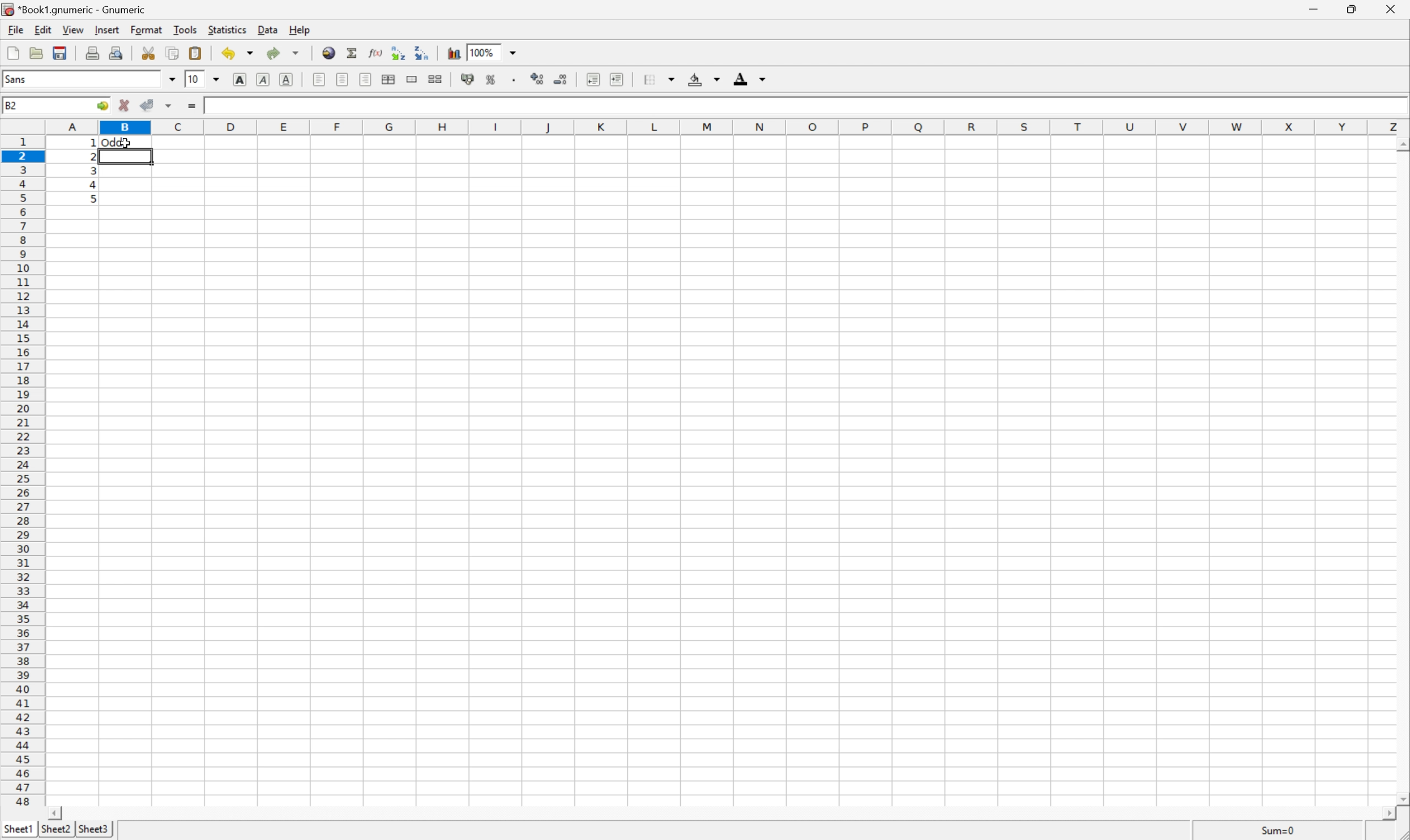 This screenshot has height=840, width=1410. I want to click on Insert a hyperlink, so click(329, 53).